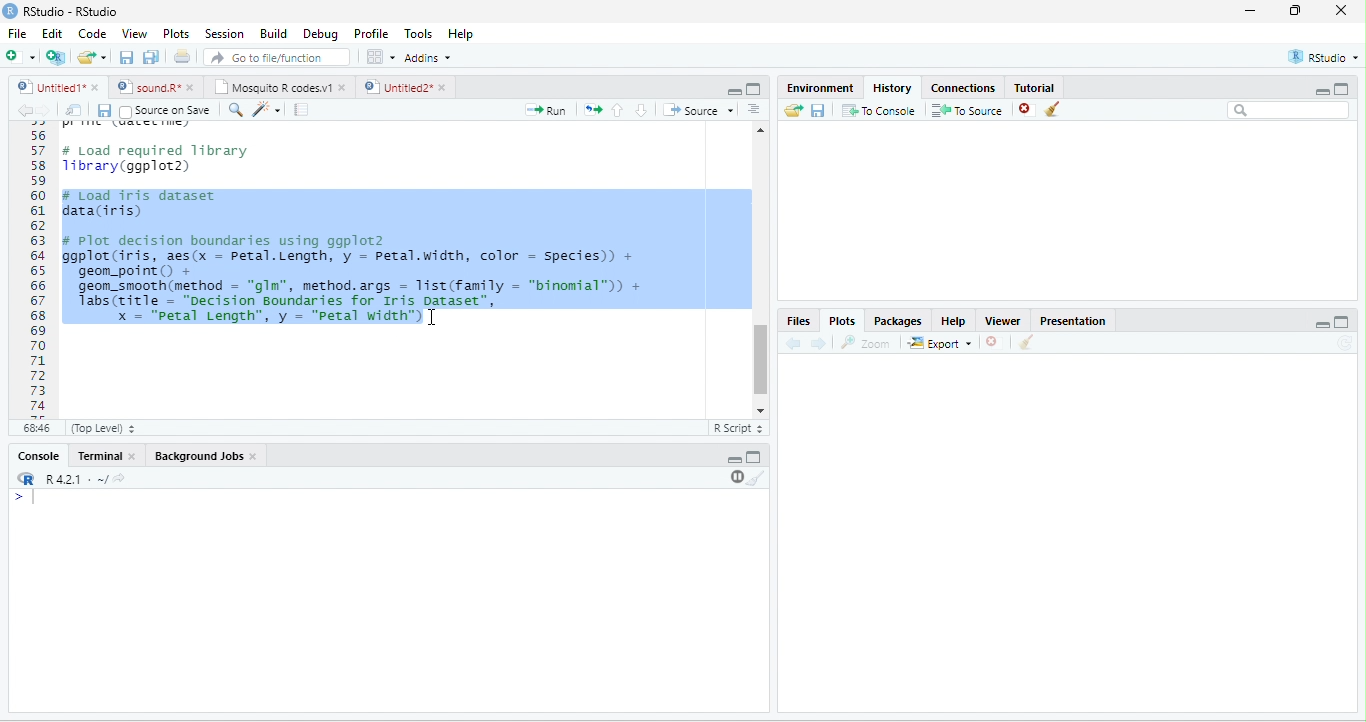 This screenshot has height=722, width=1366. Describe the element at coordinates (735, 460) in the screenshot. I see `minimize` at that location.